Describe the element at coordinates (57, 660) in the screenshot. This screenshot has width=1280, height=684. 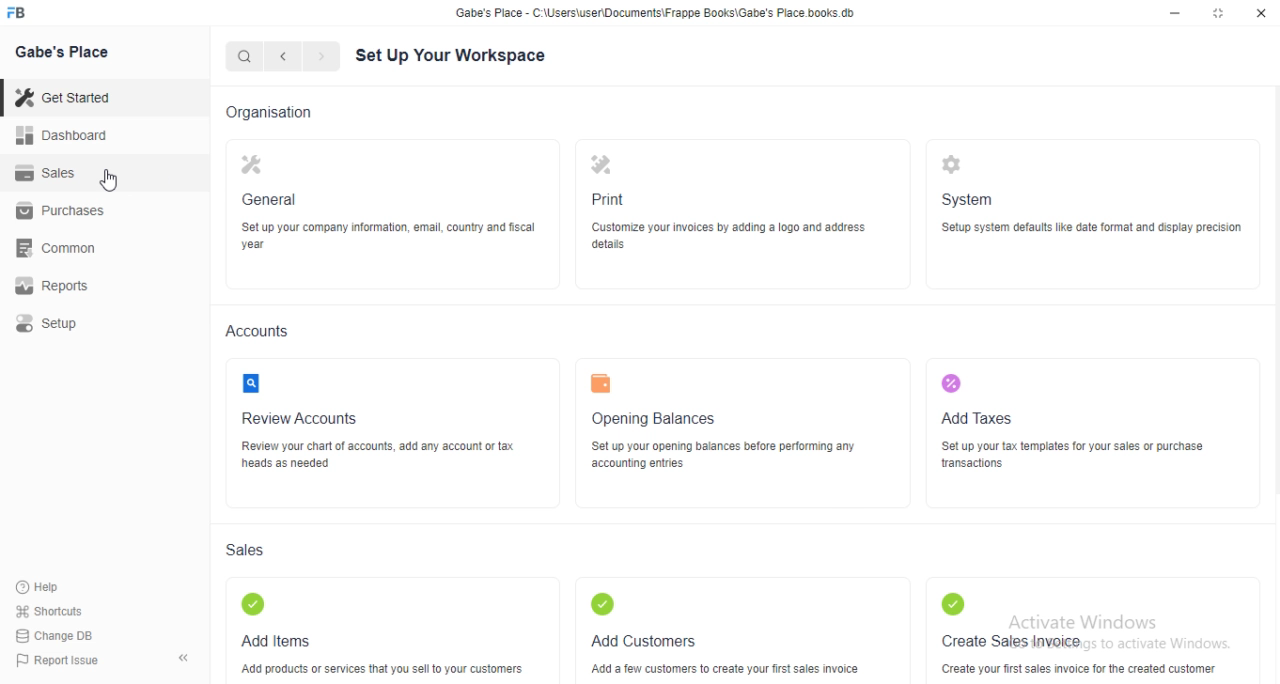
I see `report issue` at that location.